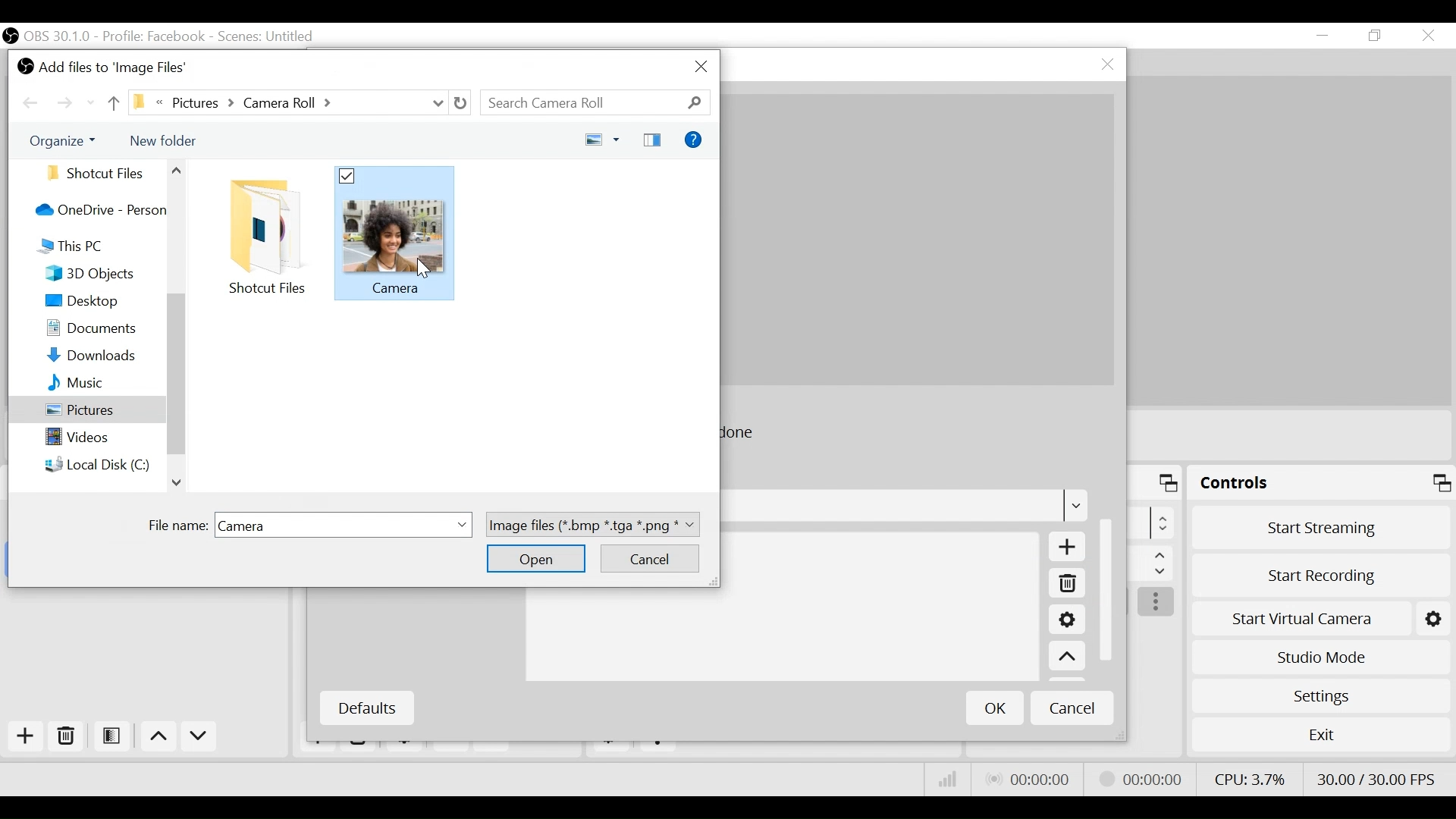  Describe the element at coordinates (1427, 36) in the screenshot. I see `Close` at that location.